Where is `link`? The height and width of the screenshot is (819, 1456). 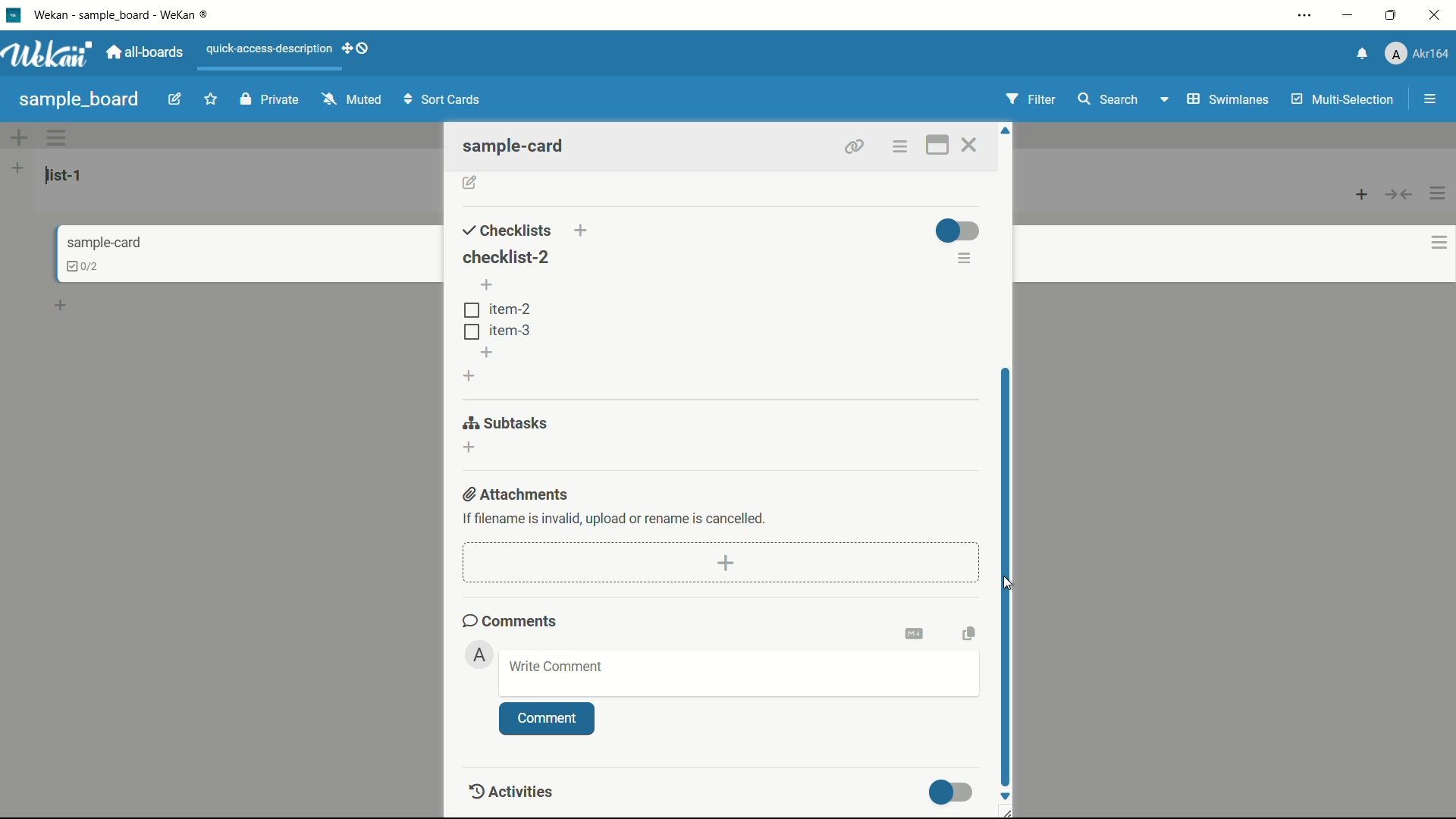
link is located at coordinates (851, 144).